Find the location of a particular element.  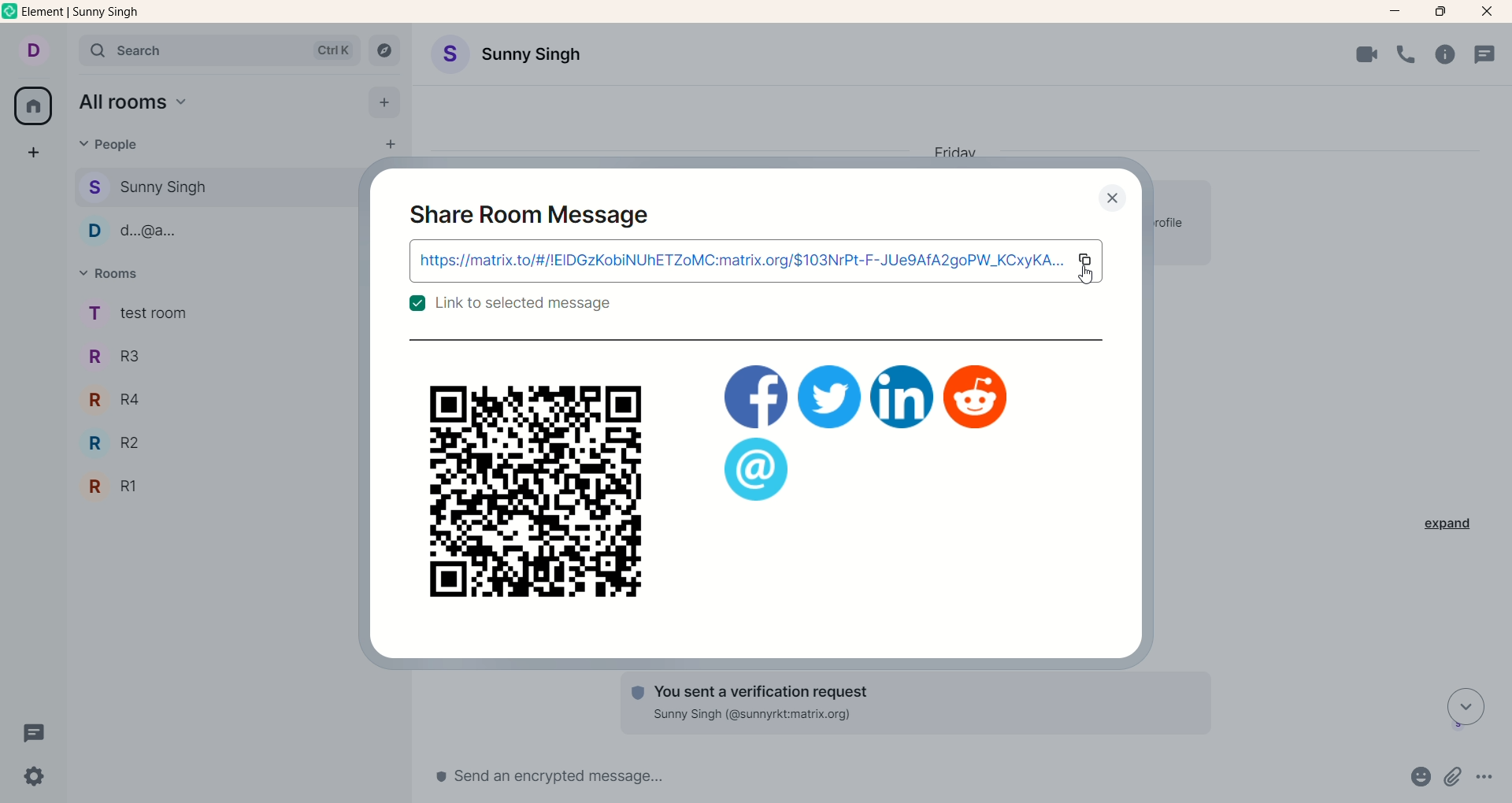

rooms is located at coordinates (112, 276).